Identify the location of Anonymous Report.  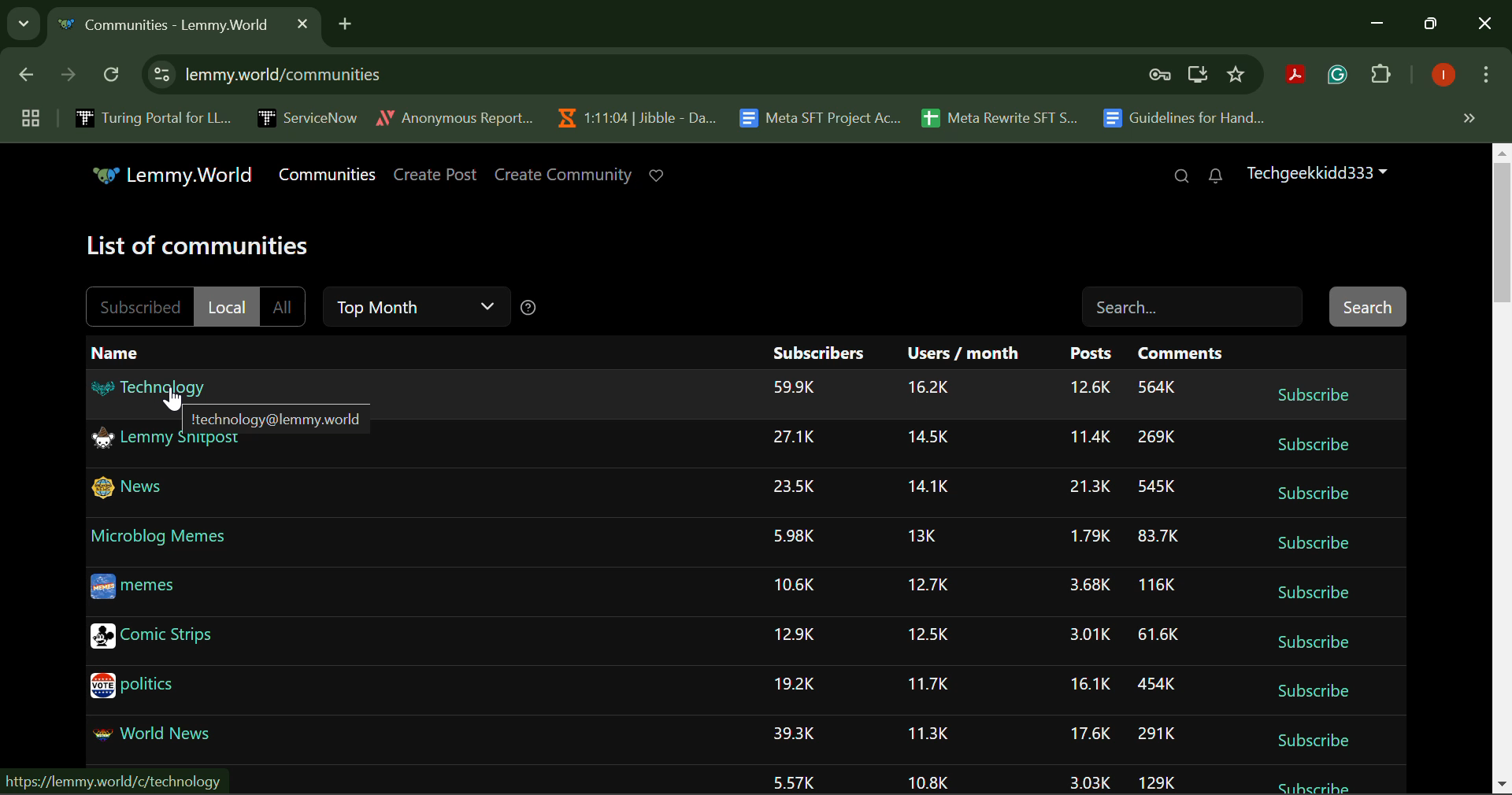
(454, 115).